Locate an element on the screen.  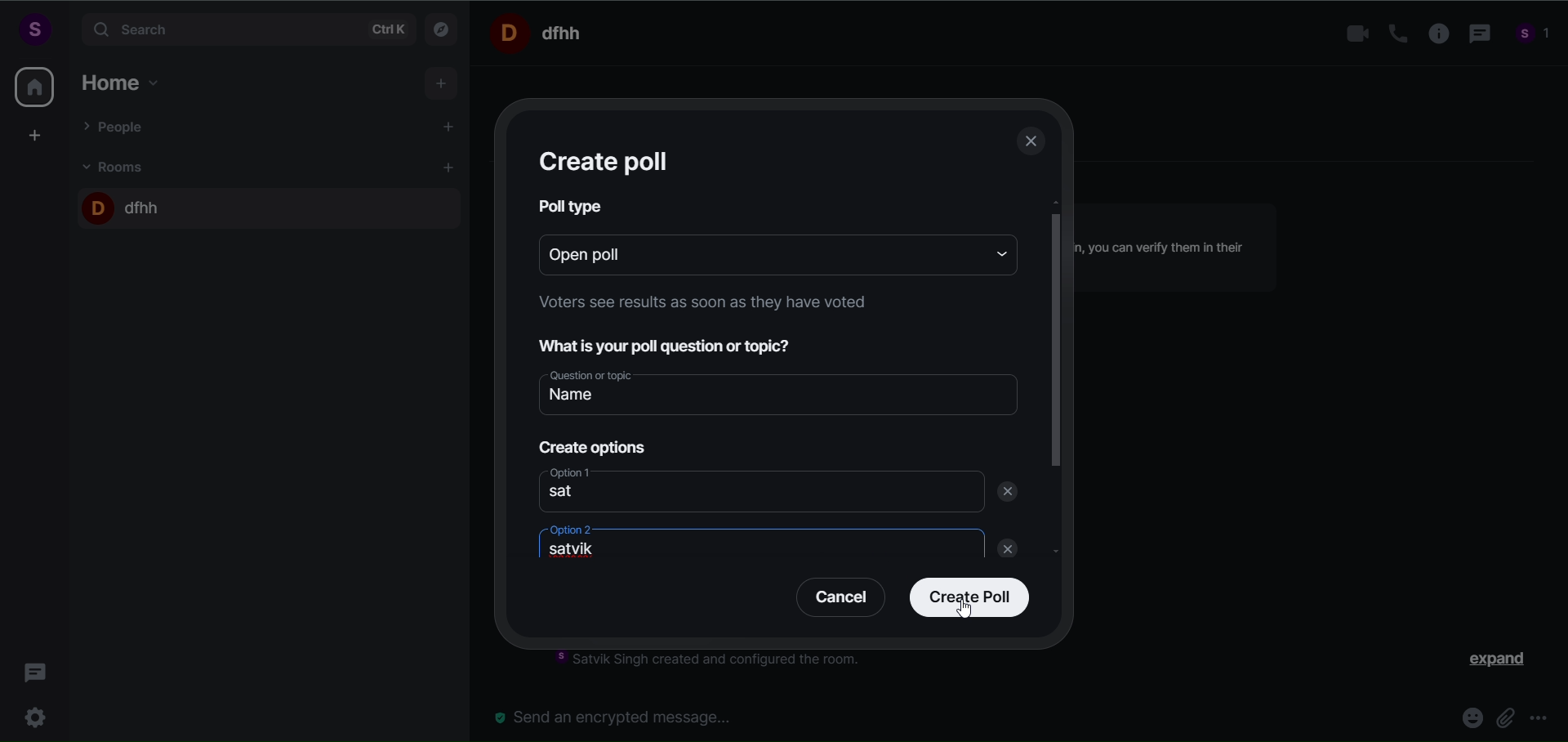
home option is located at coordinates (127, 80).